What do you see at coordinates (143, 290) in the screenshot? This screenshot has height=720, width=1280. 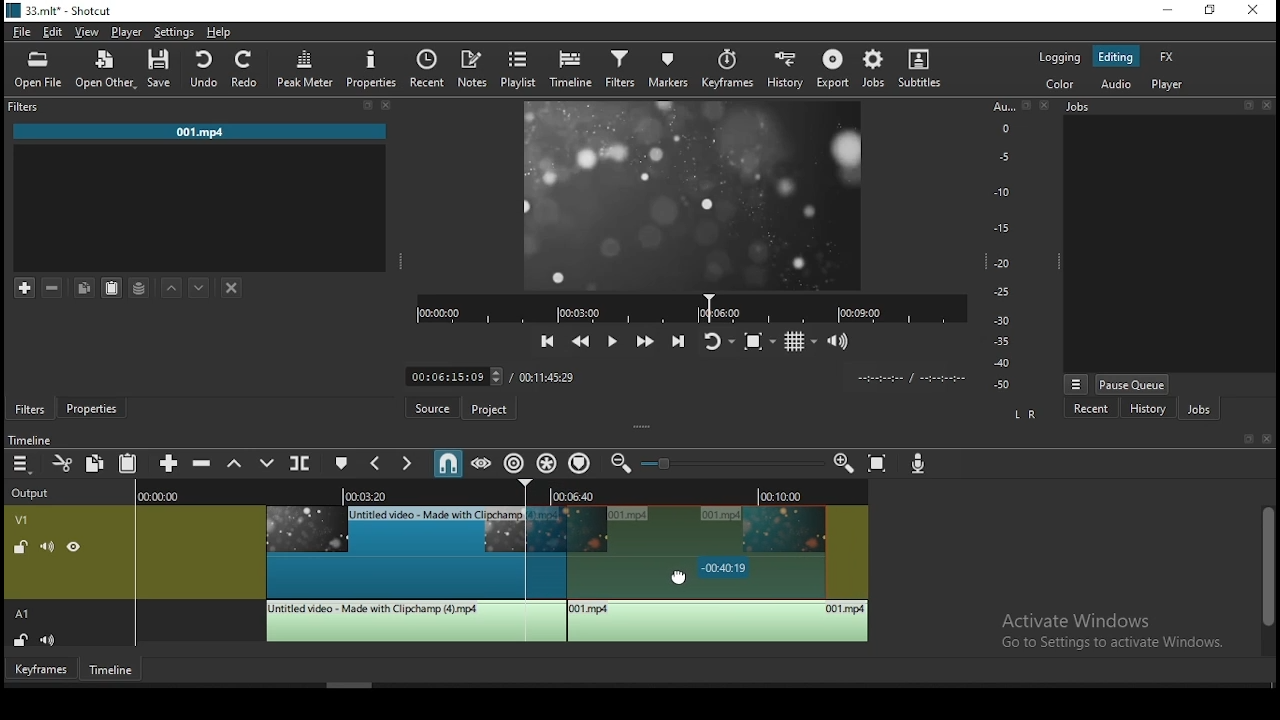 I see `save filter sets` at bounding box center [143, 290].